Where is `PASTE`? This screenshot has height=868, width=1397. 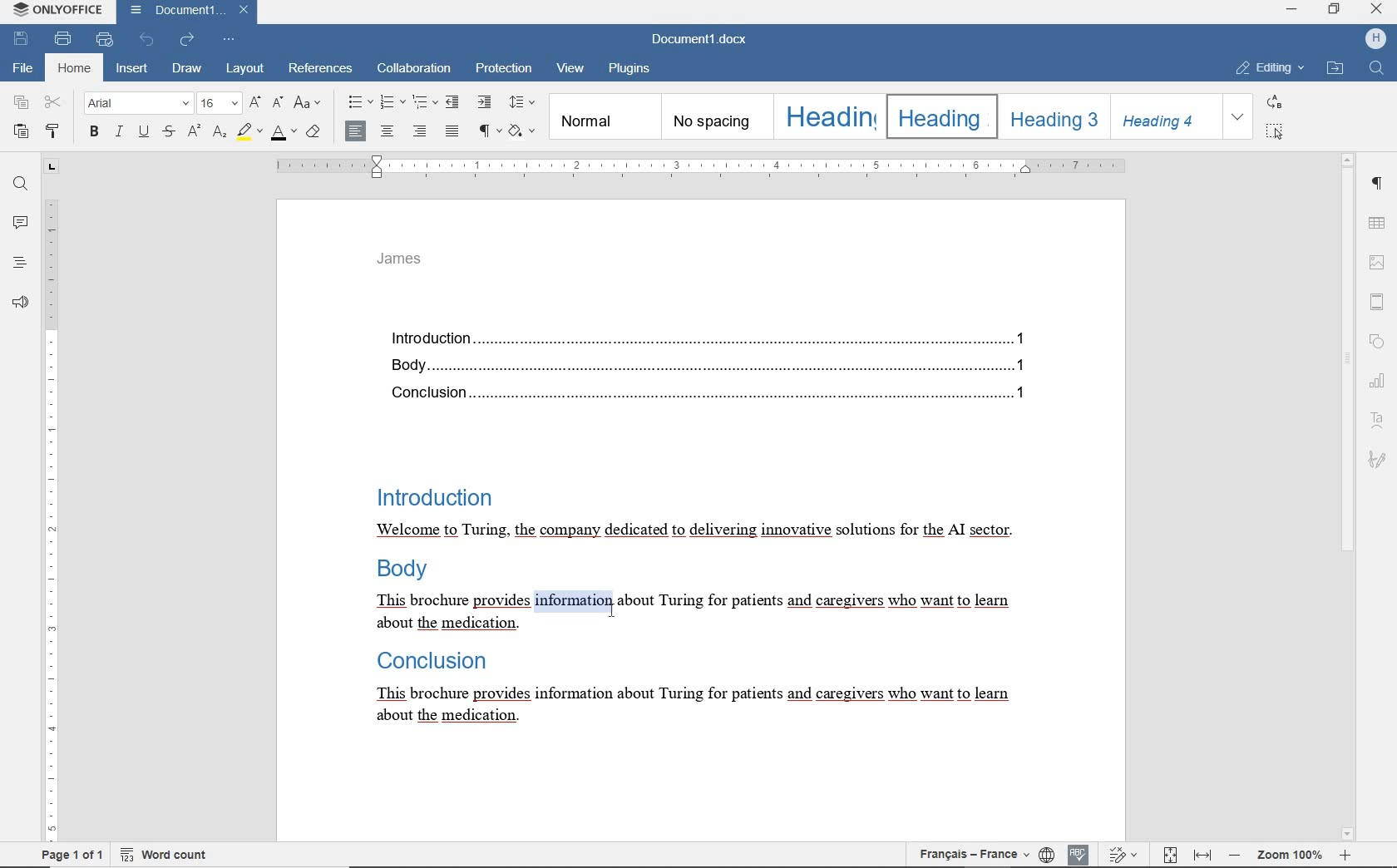 PASTE is located at coordinates (21, 132).